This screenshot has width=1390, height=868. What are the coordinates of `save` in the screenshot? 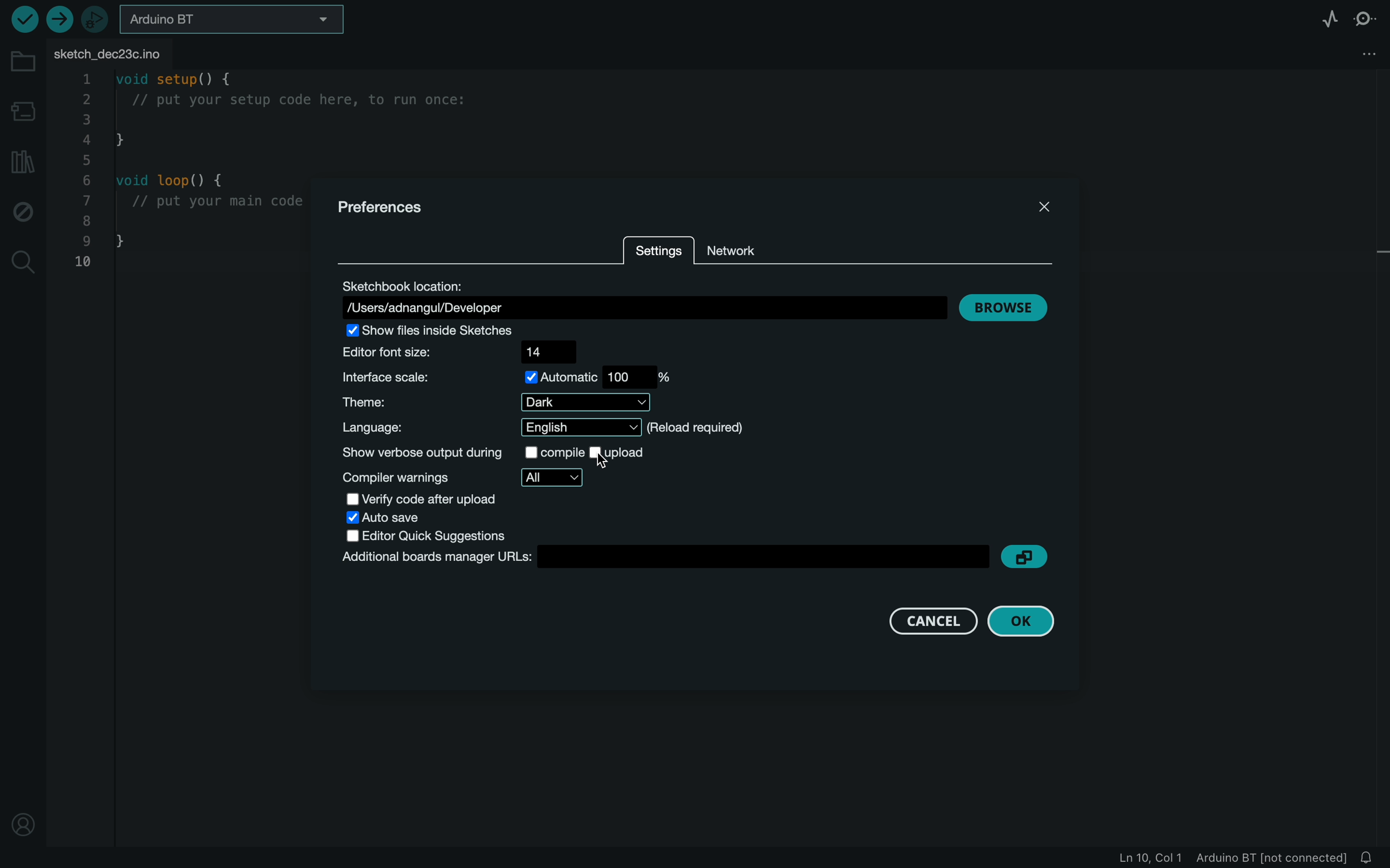 It's located at (384, 517).